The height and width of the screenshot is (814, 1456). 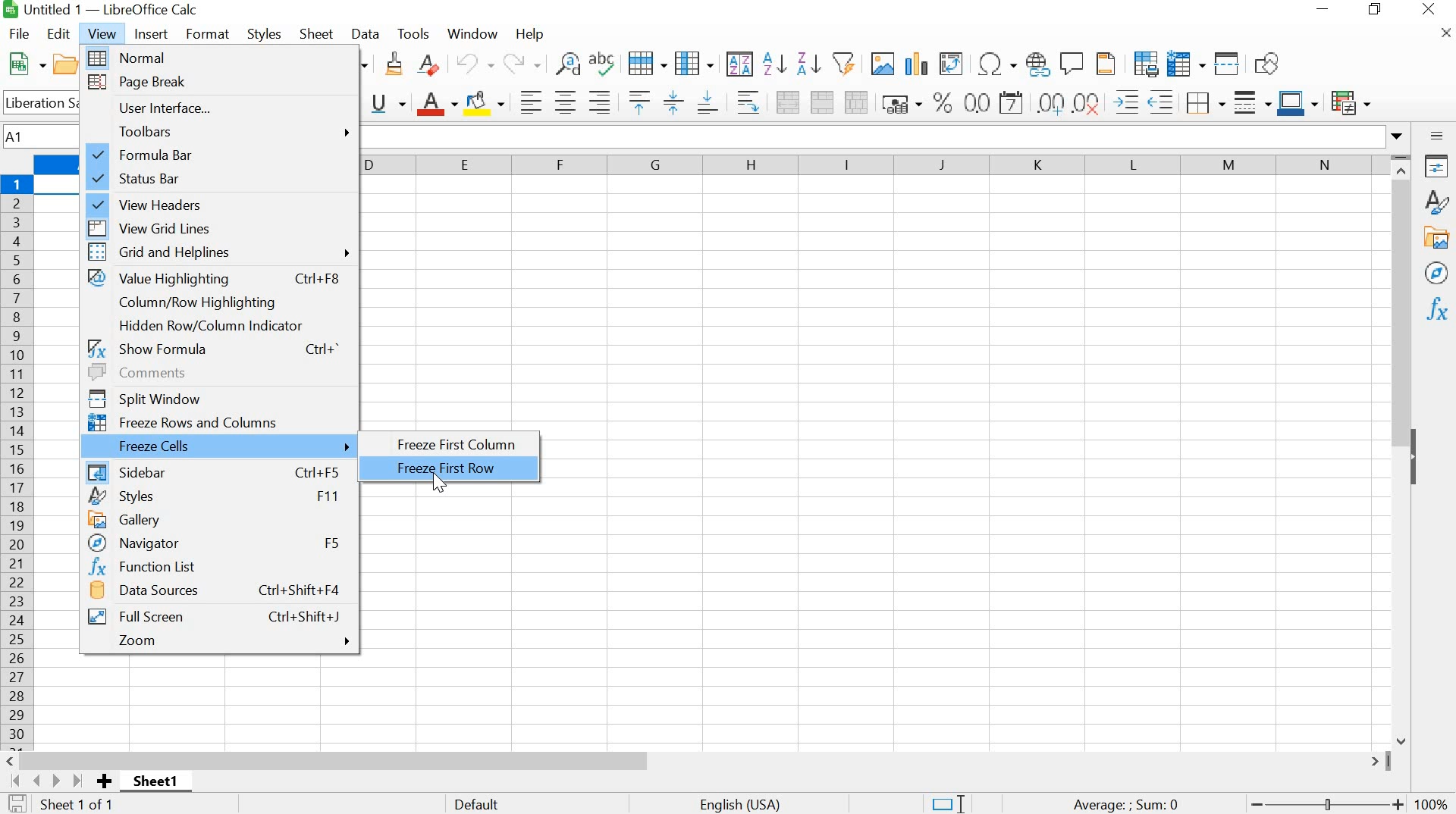 I want to click on NEW, so click(x=24, y=64).